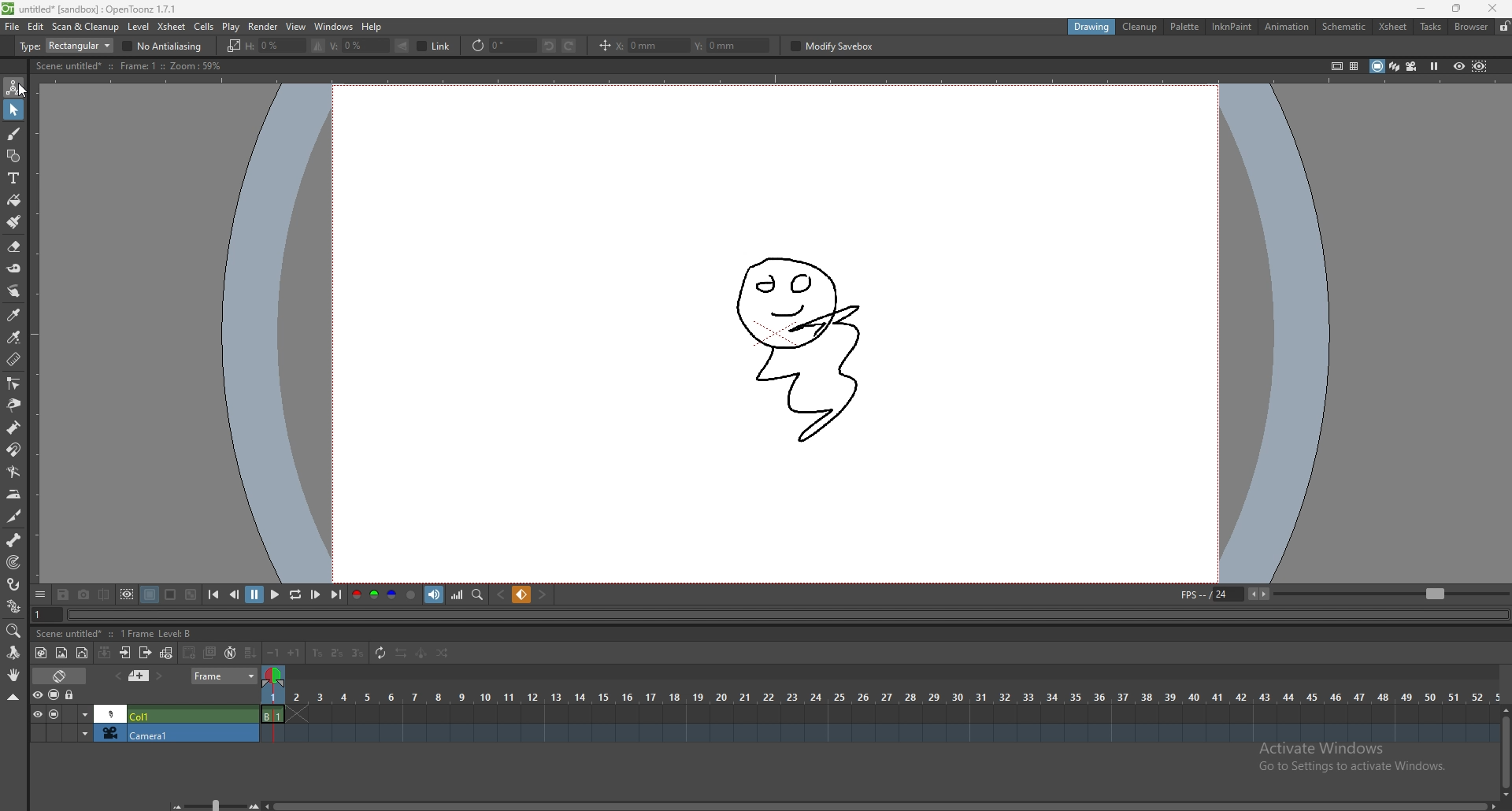  Describe the element at coordinates (1394, 66) in the screenshot. I see `3d` at that location.